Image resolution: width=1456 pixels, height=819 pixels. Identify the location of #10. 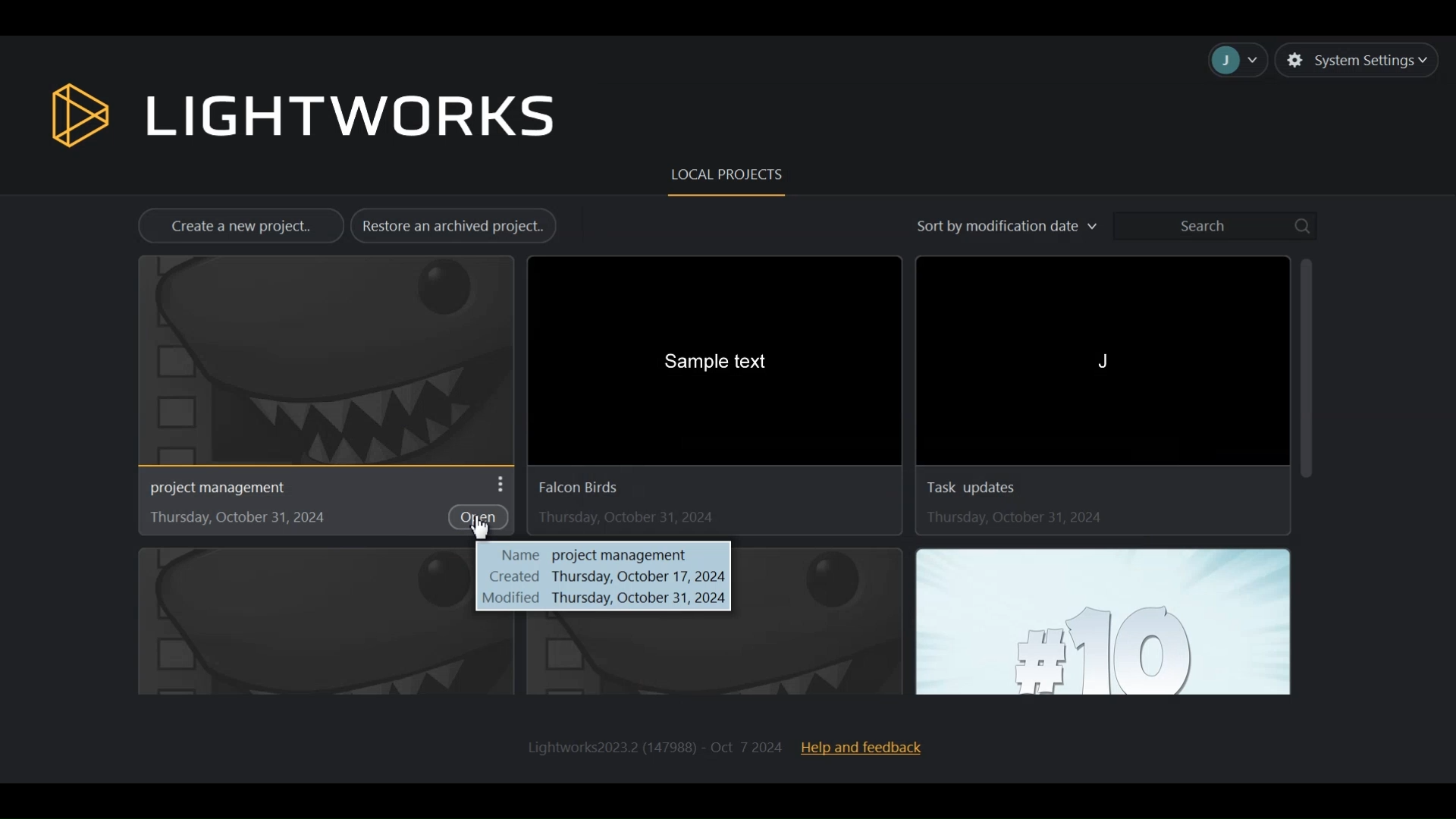
(1106, 620).